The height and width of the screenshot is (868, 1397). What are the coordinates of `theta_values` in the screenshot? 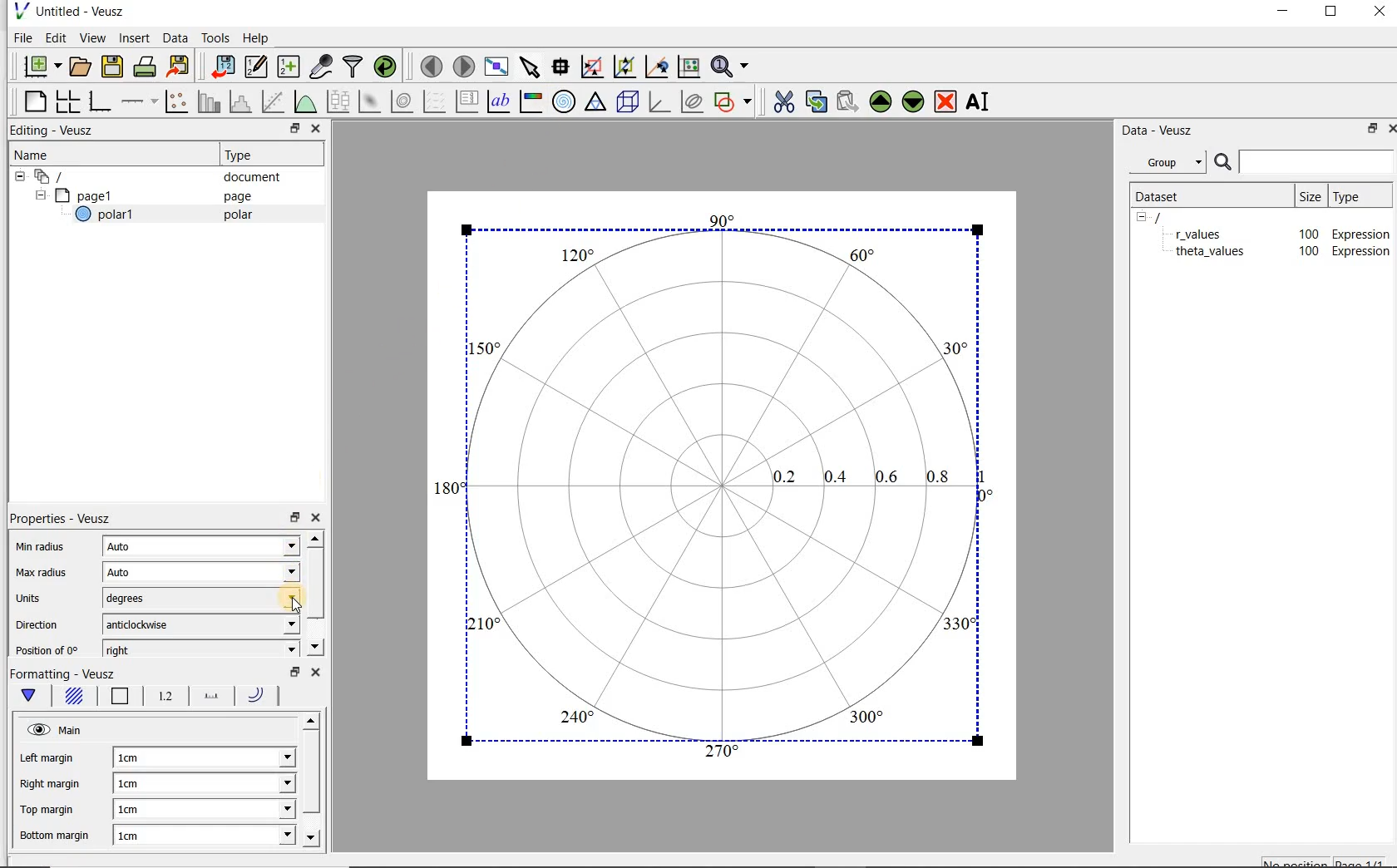 It's located at (1212, 234).